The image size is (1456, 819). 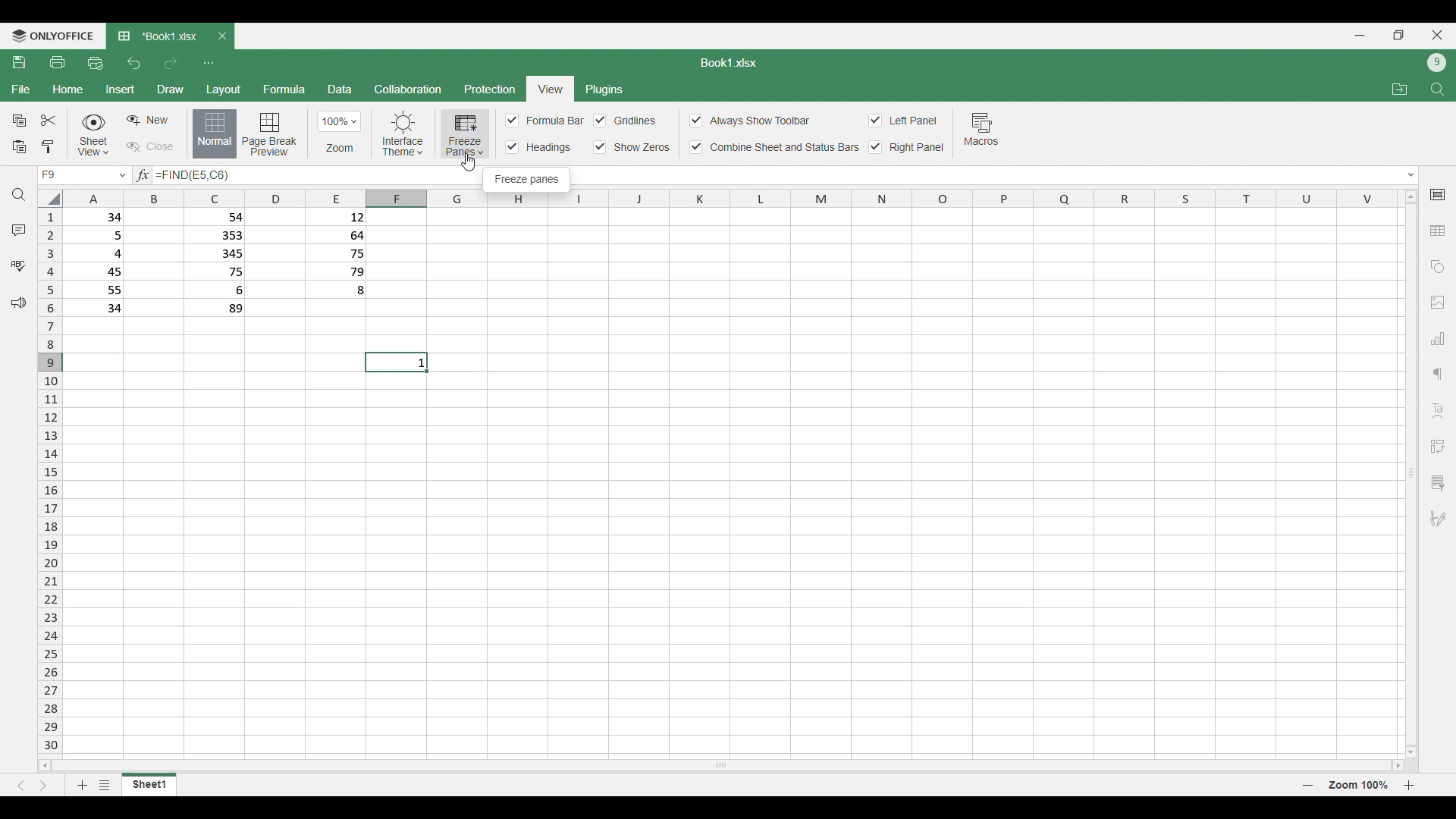 I want to click on Description of selection by cursor, so click(x=527, y=177).